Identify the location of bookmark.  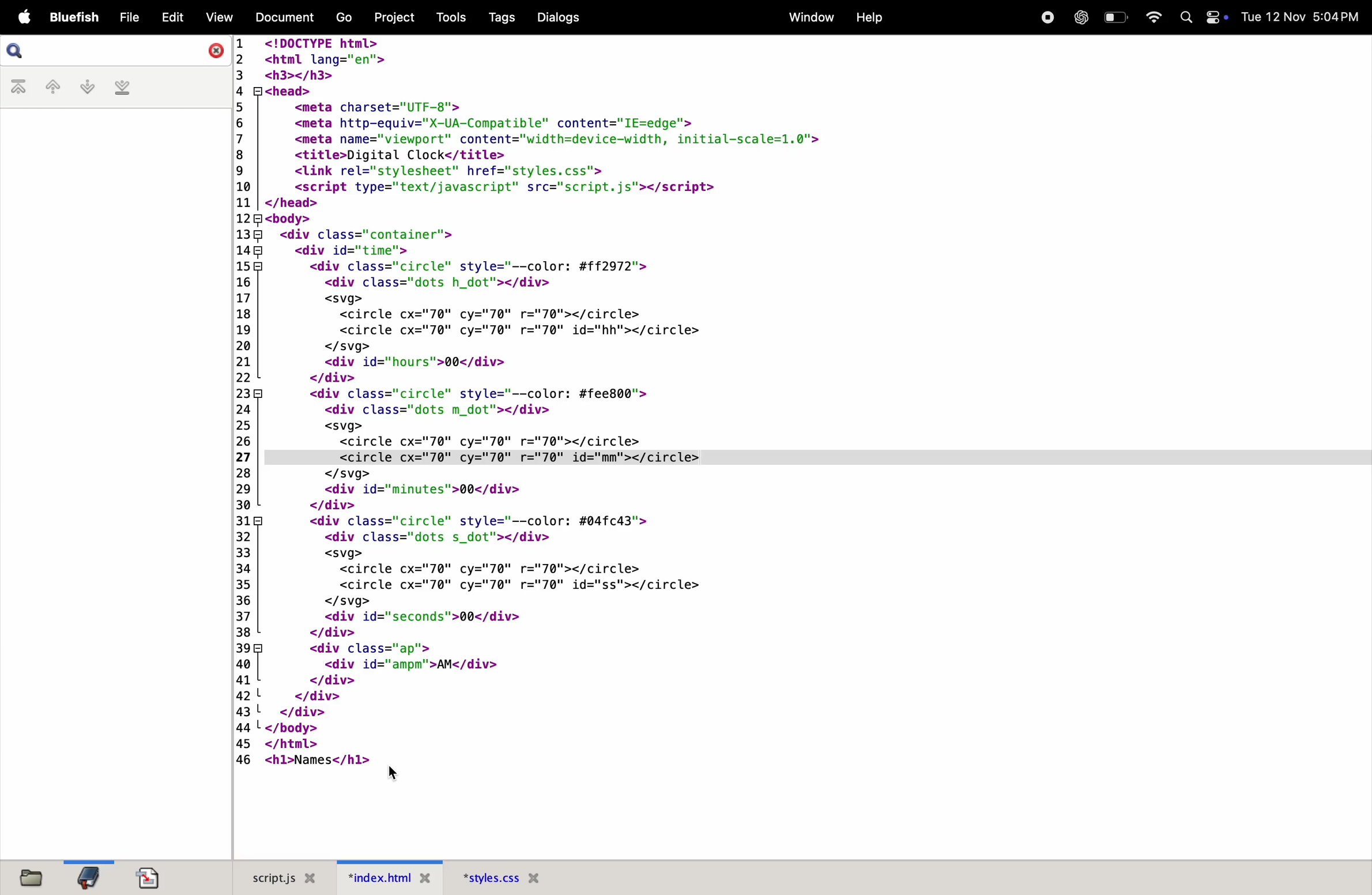
(88, 876).